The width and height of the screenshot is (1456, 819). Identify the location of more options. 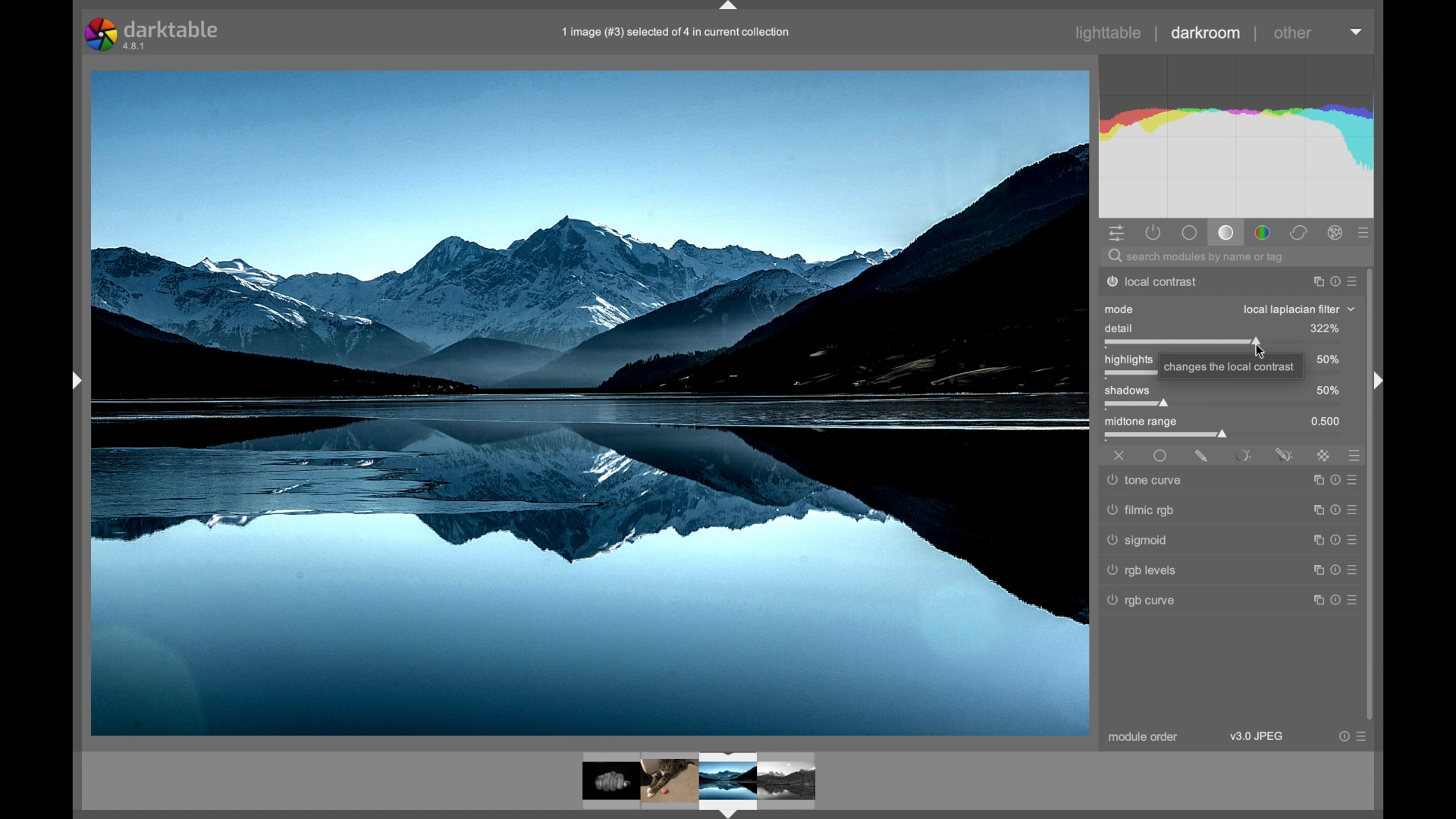
(1336, 599).